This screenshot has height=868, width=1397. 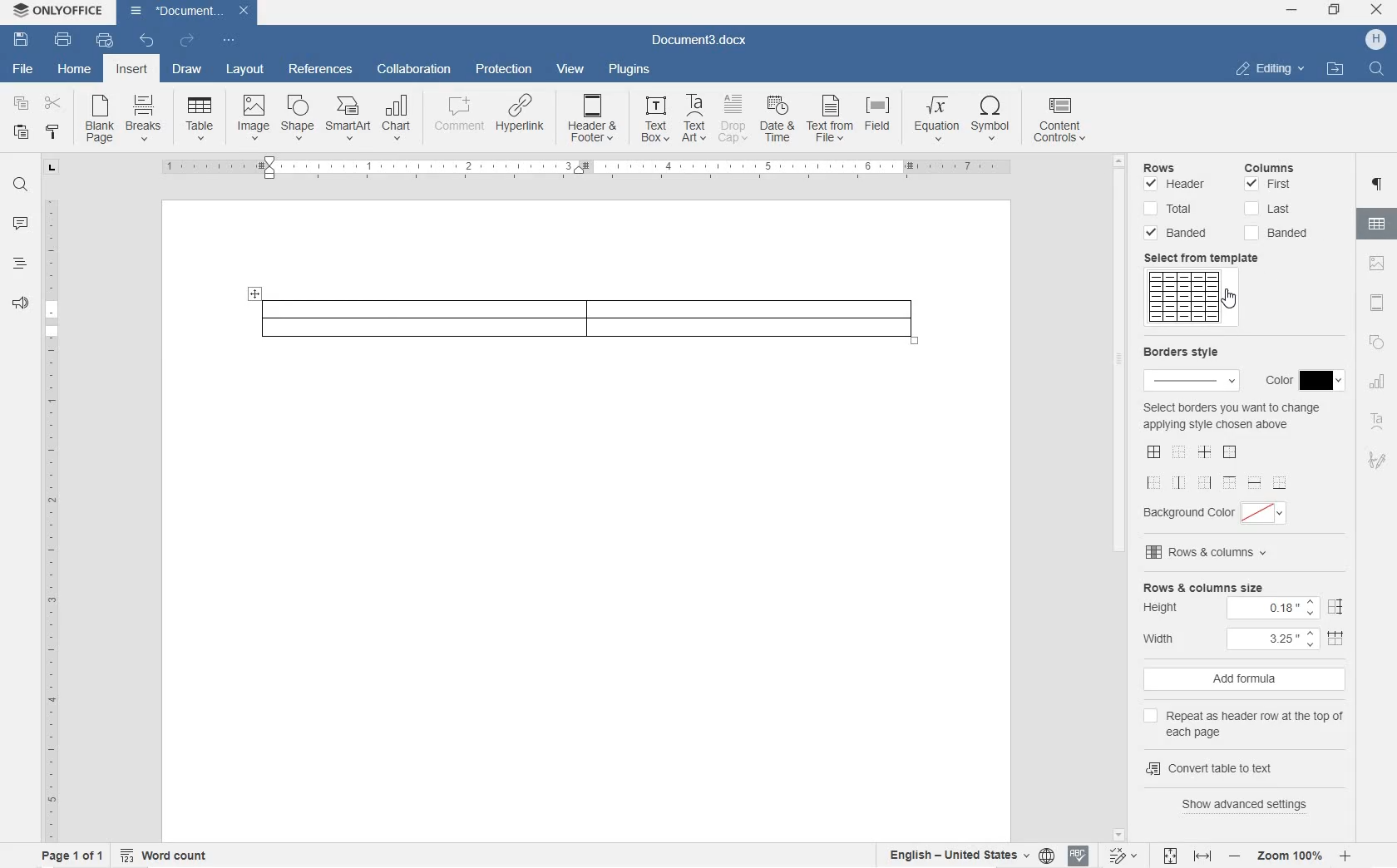 I want to click on Drop Cap, so click(x=733, y=119).